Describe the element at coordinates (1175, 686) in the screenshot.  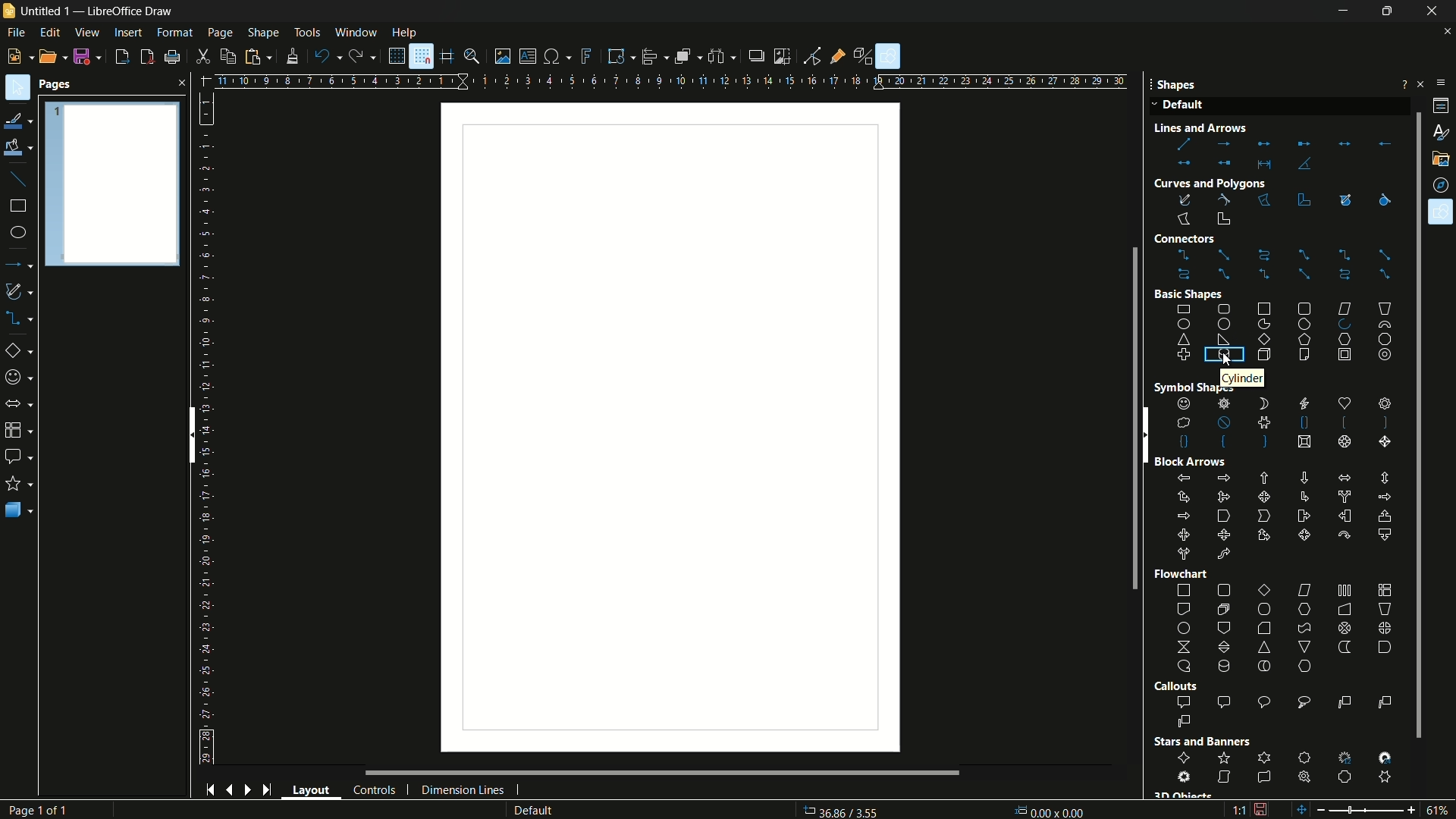
I see `Callouts` at that location.